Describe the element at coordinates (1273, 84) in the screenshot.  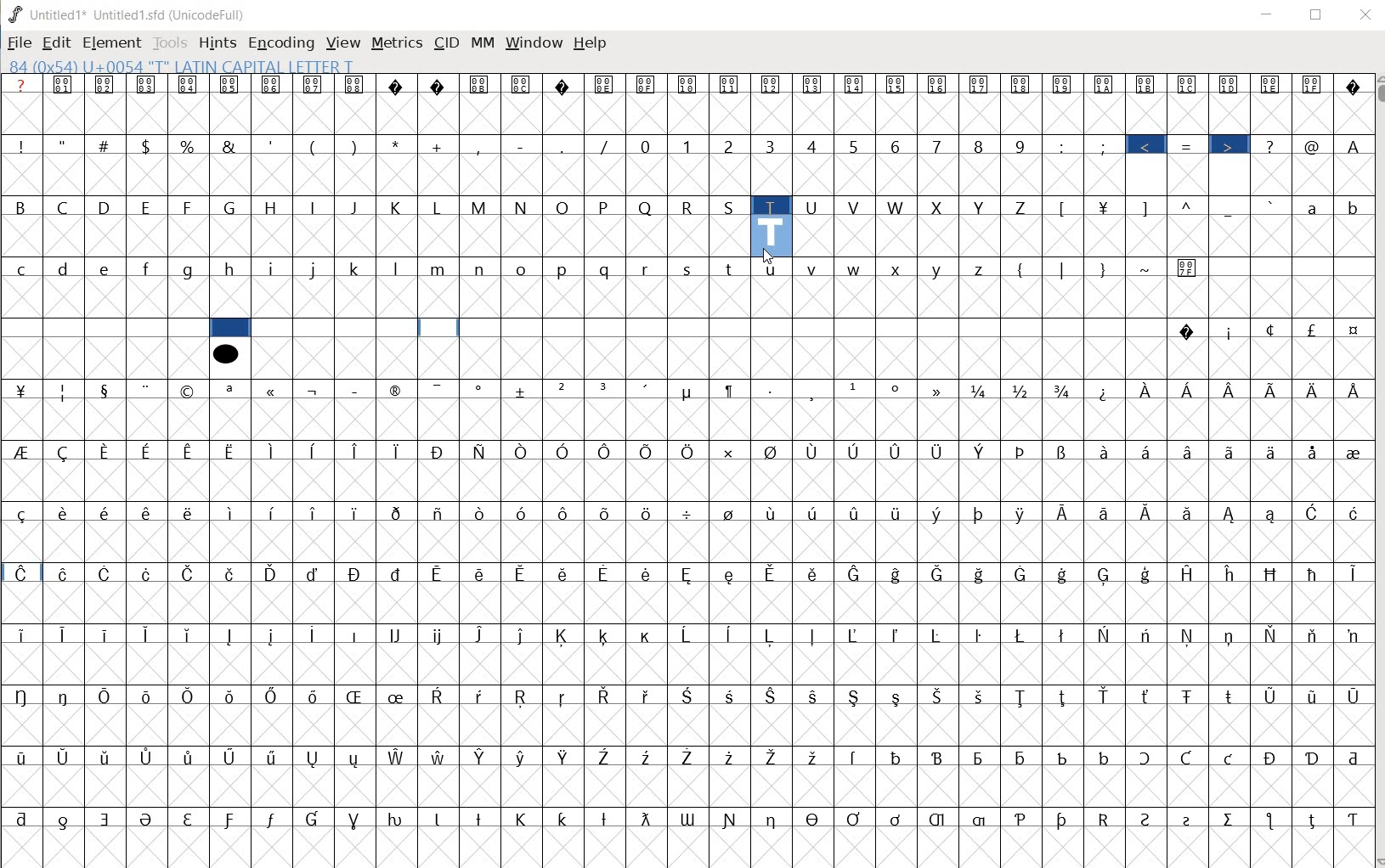
I see `Symbol` at that location.